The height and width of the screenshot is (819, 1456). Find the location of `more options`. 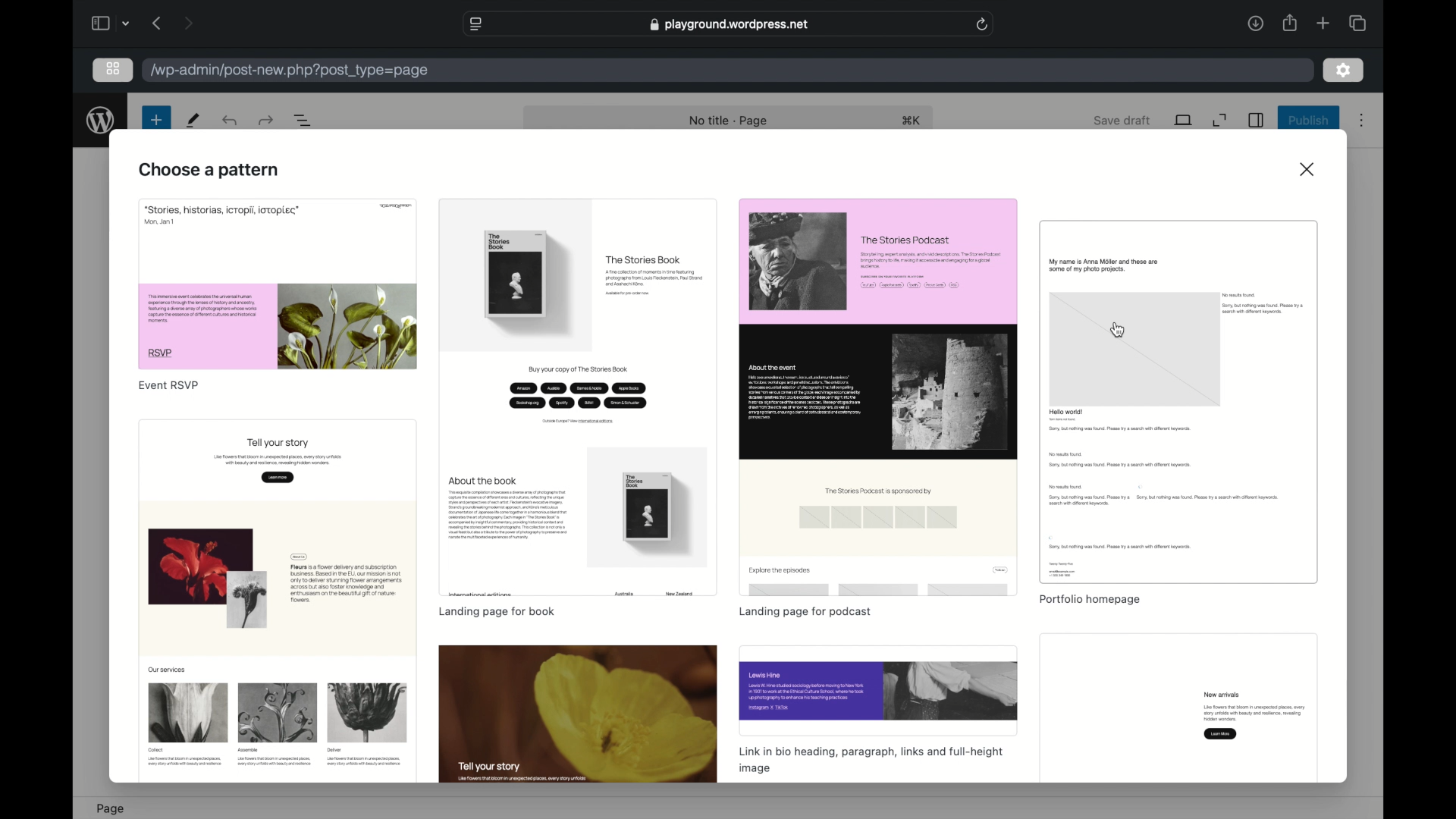

more options is located at coordinates (1362, 121).